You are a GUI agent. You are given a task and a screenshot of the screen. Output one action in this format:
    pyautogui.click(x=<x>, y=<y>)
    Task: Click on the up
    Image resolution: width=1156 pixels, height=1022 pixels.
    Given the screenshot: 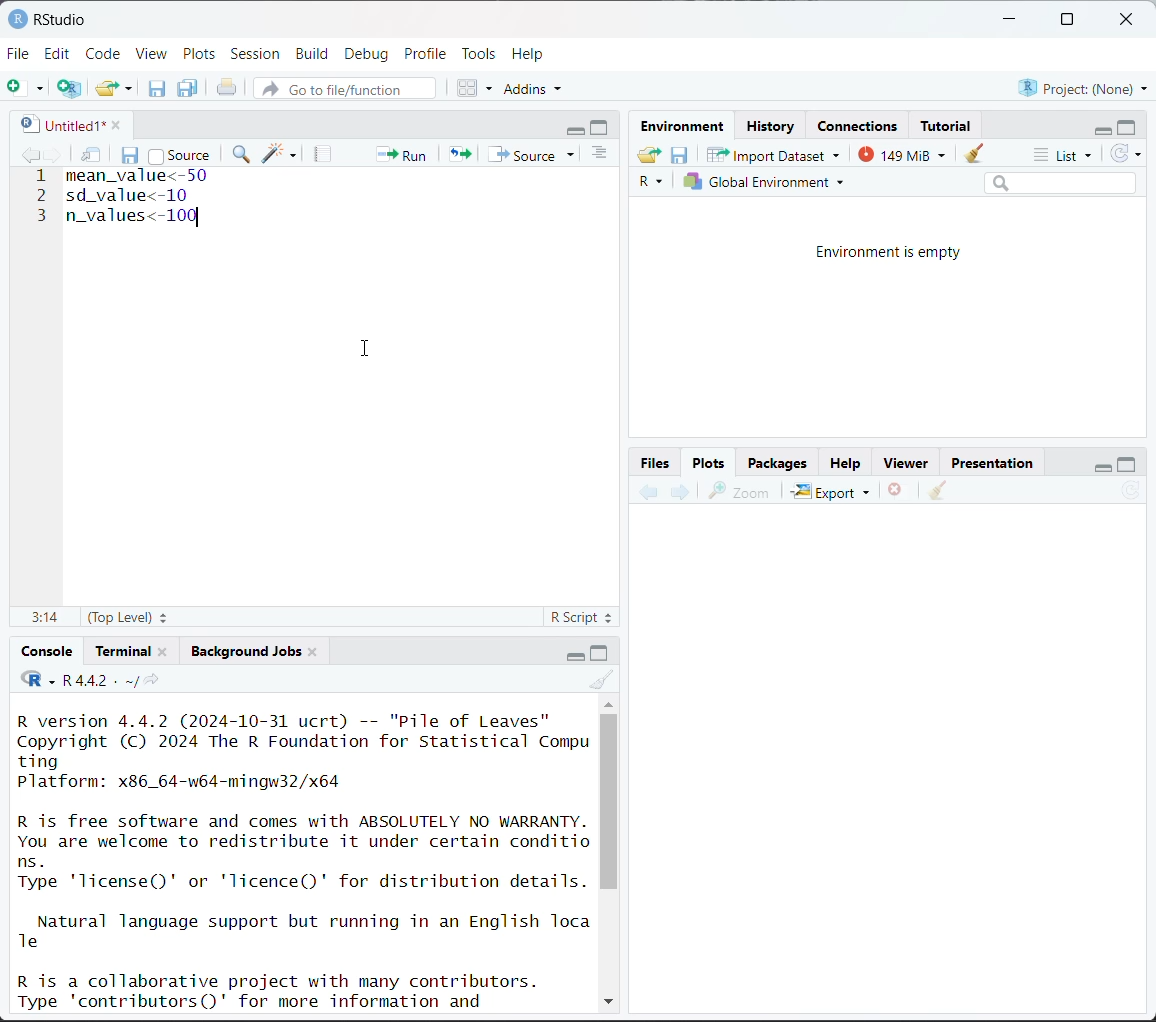 What is the action you would take?
    pyautogui.click(x=608, y=702)
    